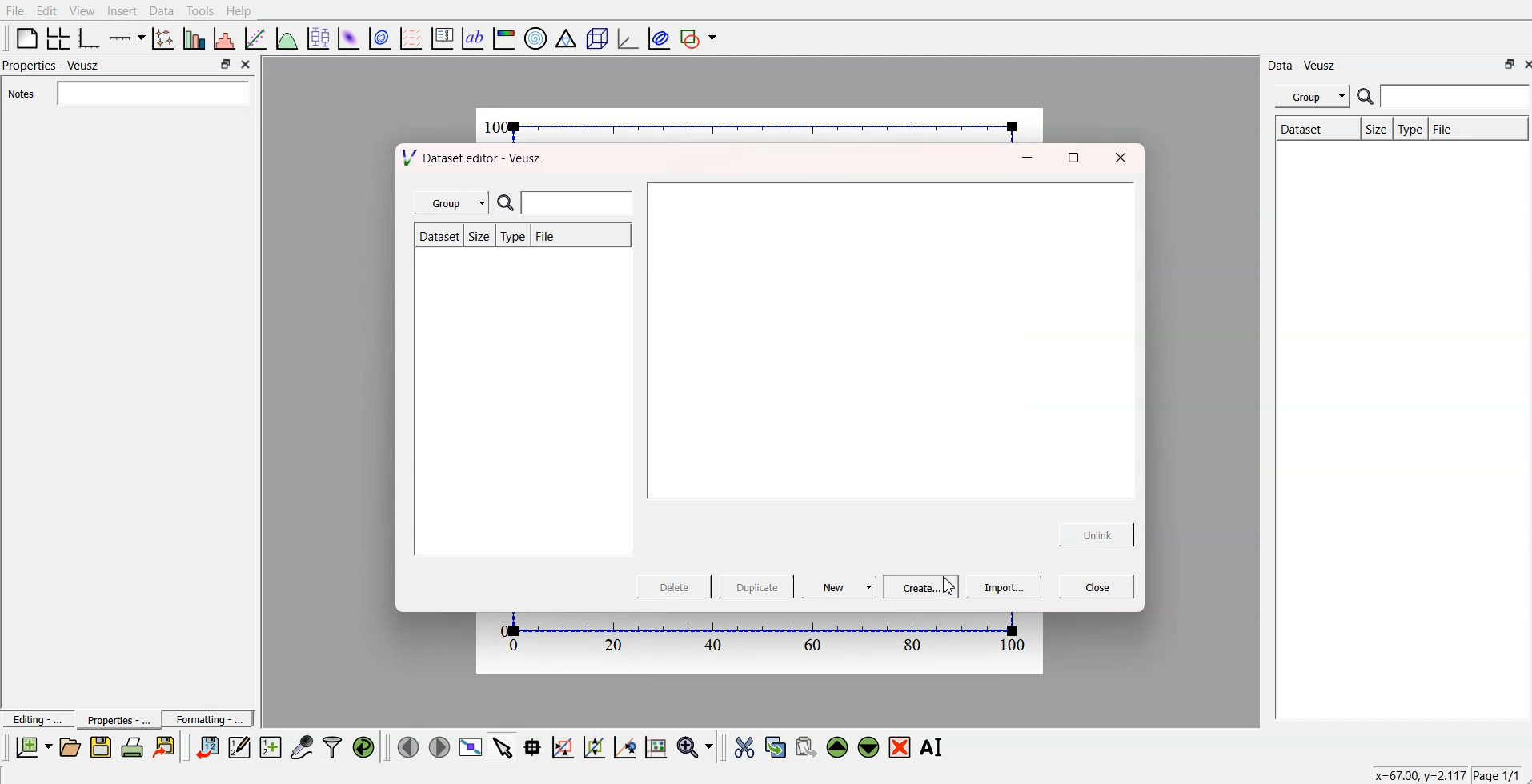  Describe the element at coordinates (348, 37) in the screenshot. I see `plot a 2d dataset as an` at that location.